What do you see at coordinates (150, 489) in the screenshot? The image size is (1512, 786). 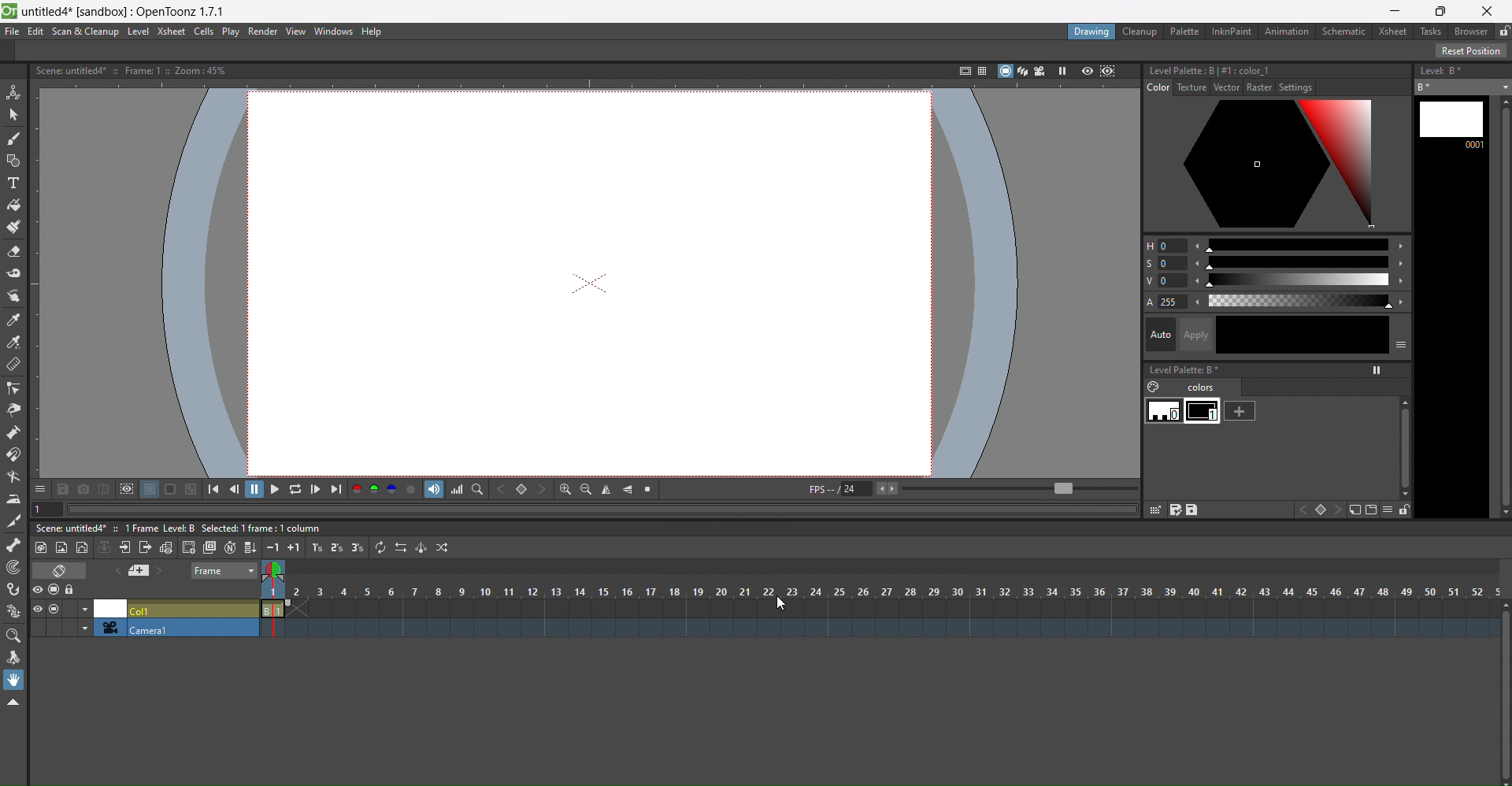 I see `tool` at bounding box center [150, 489].